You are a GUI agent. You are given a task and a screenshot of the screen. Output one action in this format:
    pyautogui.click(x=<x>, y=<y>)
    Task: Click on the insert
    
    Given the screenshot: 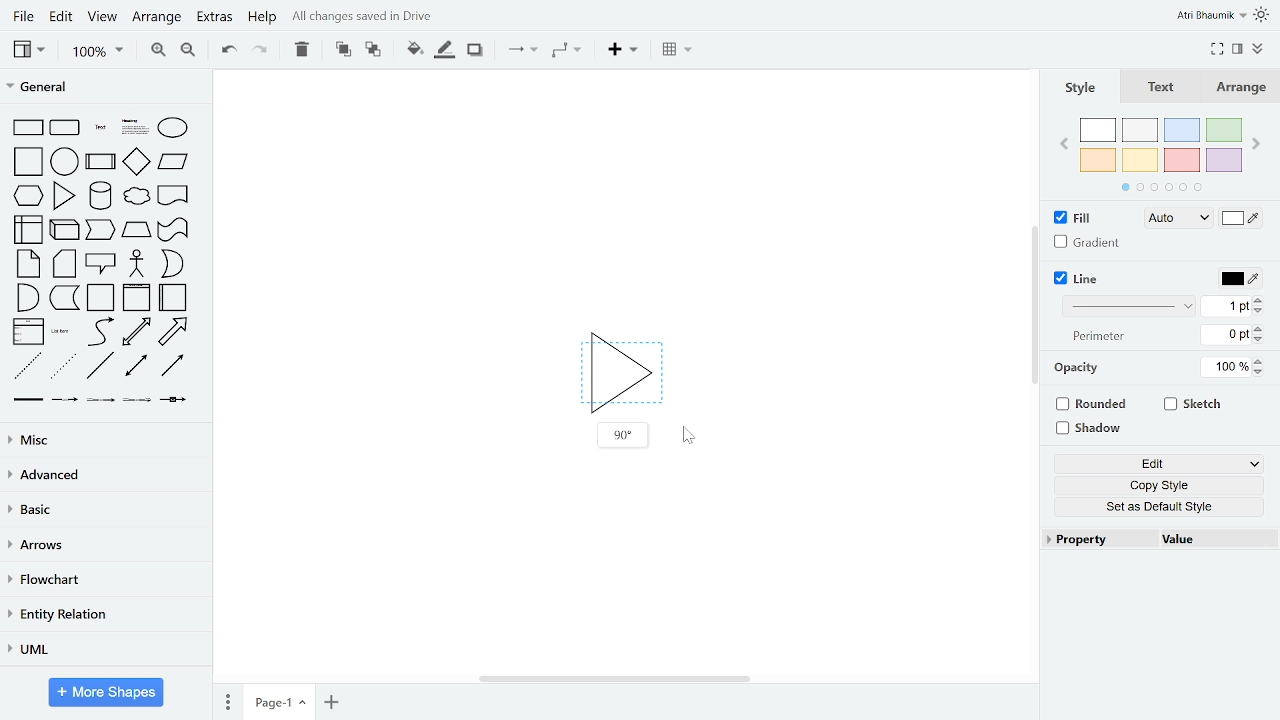 What is the action you would take?
    pyautogui.click(x=622, y=50)
    